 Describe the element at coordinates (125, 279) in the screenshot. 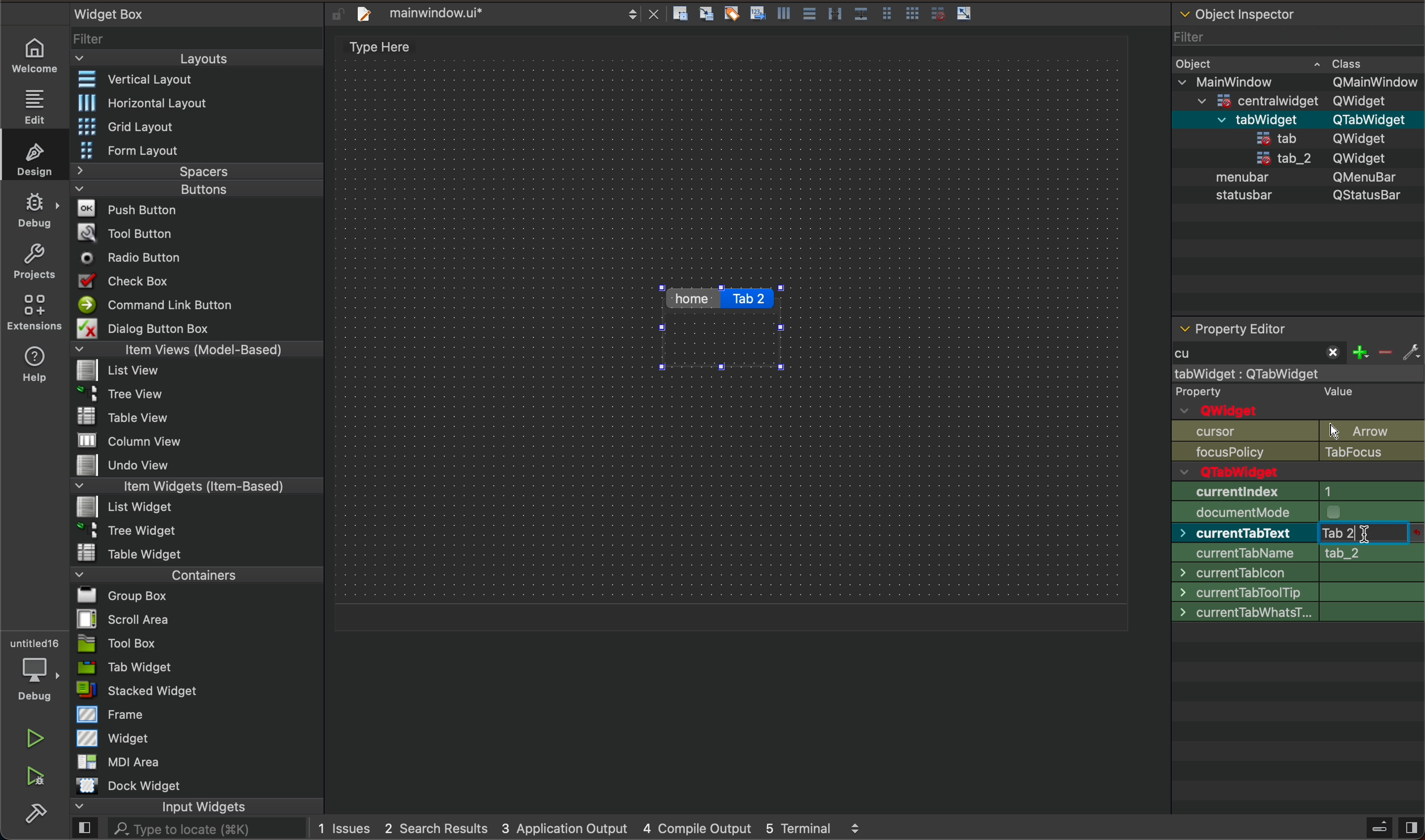

I see `Check Box` at that location.